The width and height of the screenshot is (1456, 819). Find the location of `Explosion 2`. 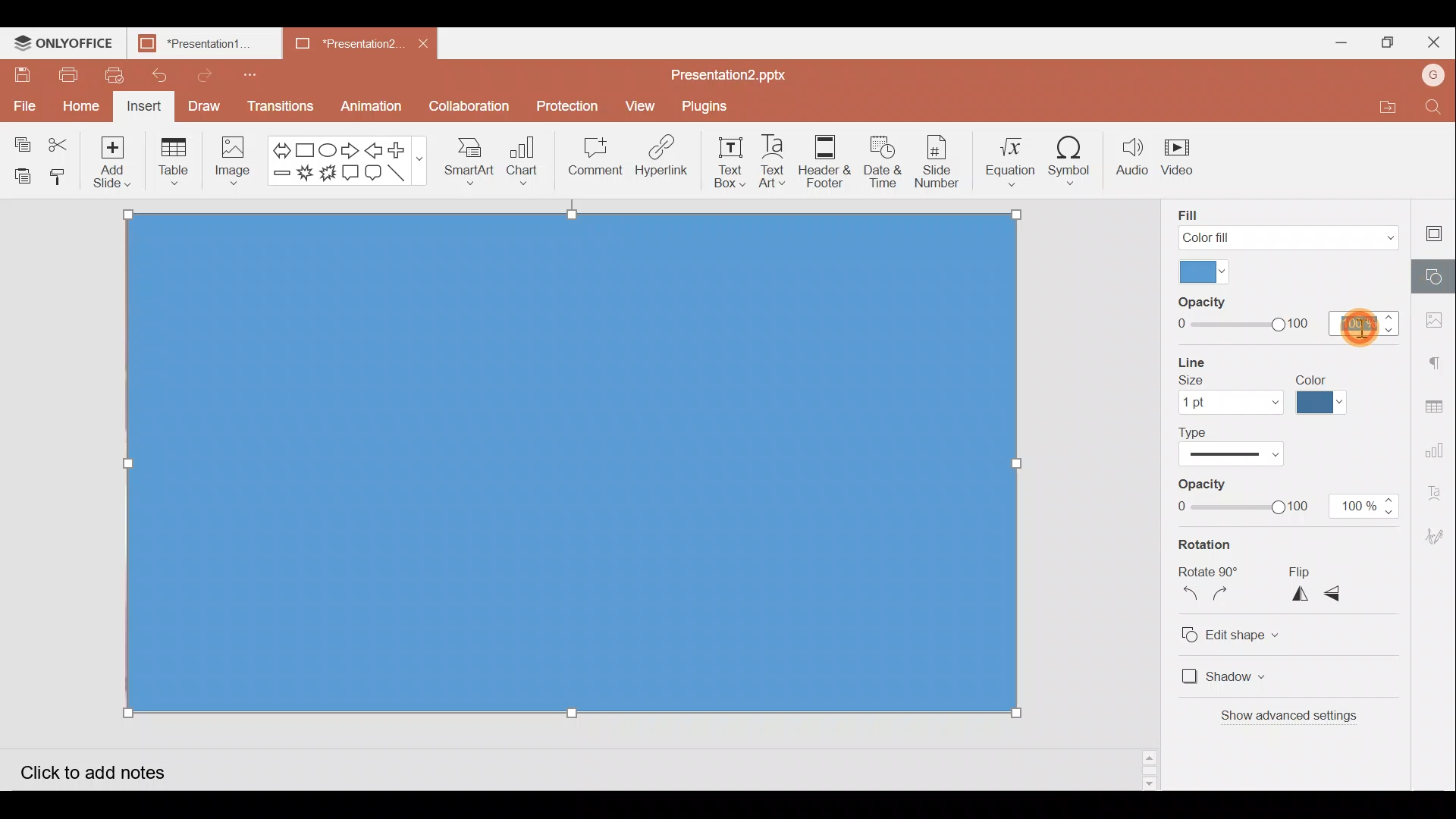

Explosion 2 is located at coordinates (328, 178).